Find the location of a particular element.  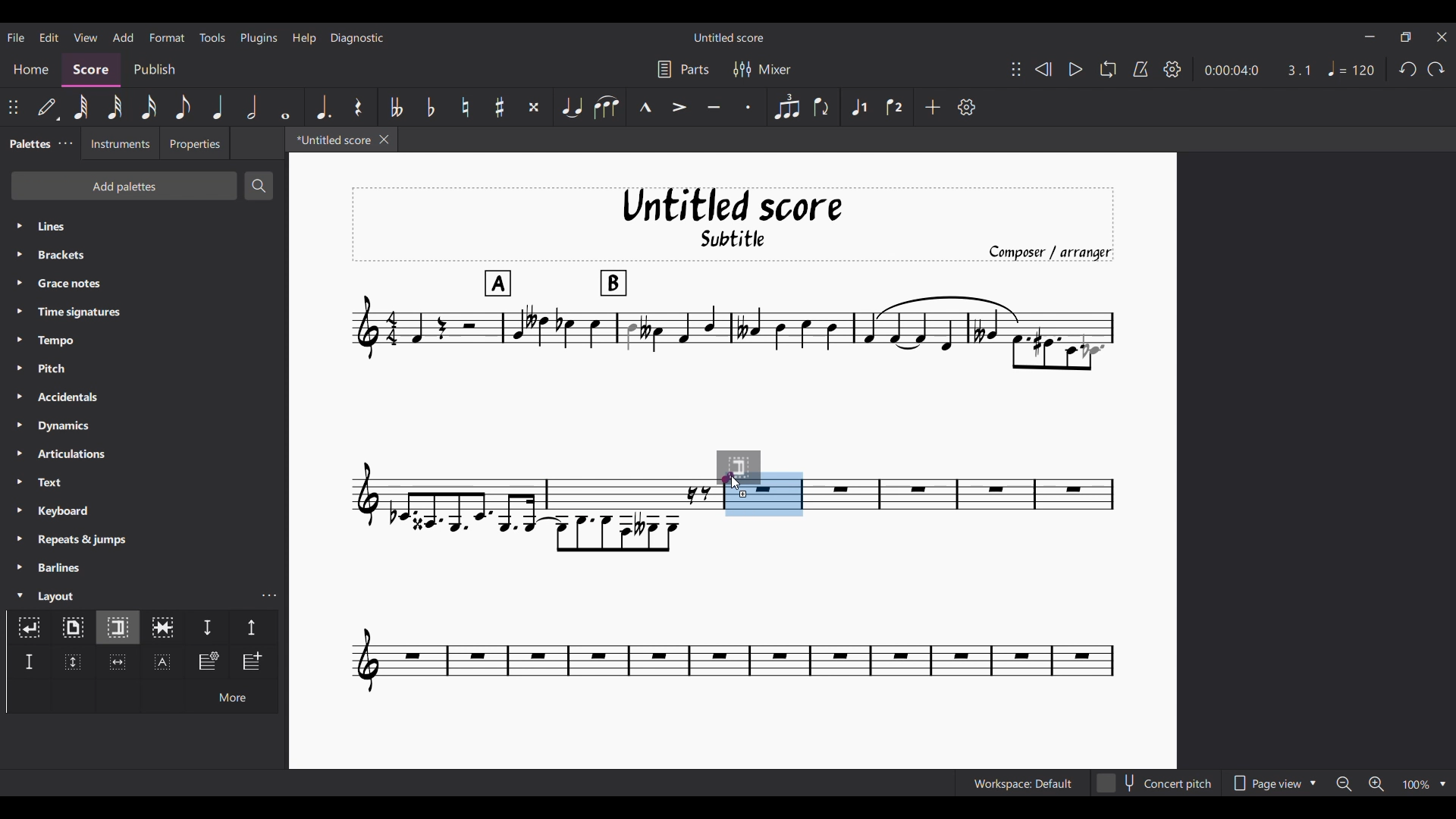

Toggle double flat is located at coordinates (394, 107).